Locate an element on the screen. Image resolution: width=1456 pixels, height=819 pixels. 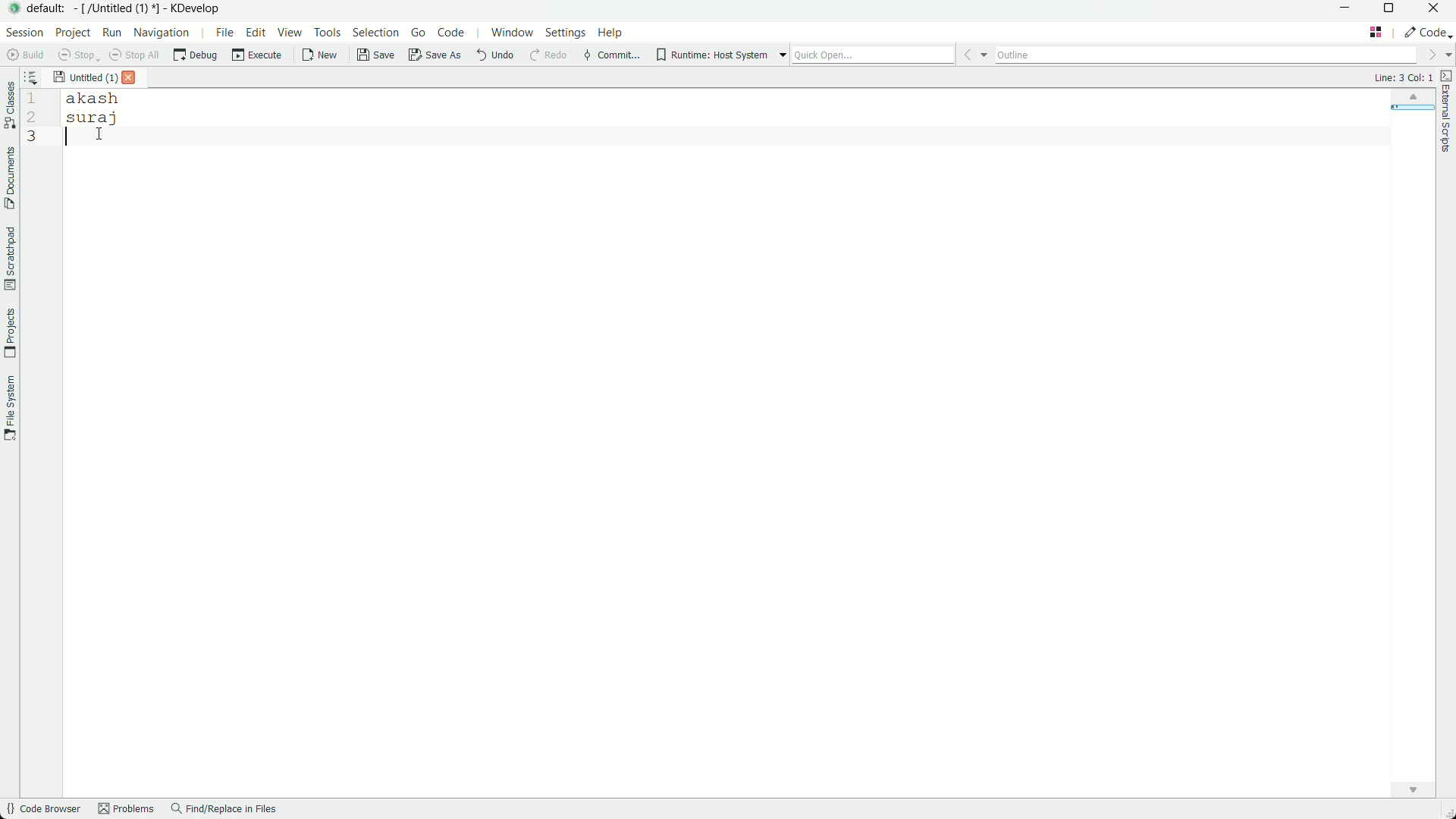
save as is located at coordinates (435, 57).